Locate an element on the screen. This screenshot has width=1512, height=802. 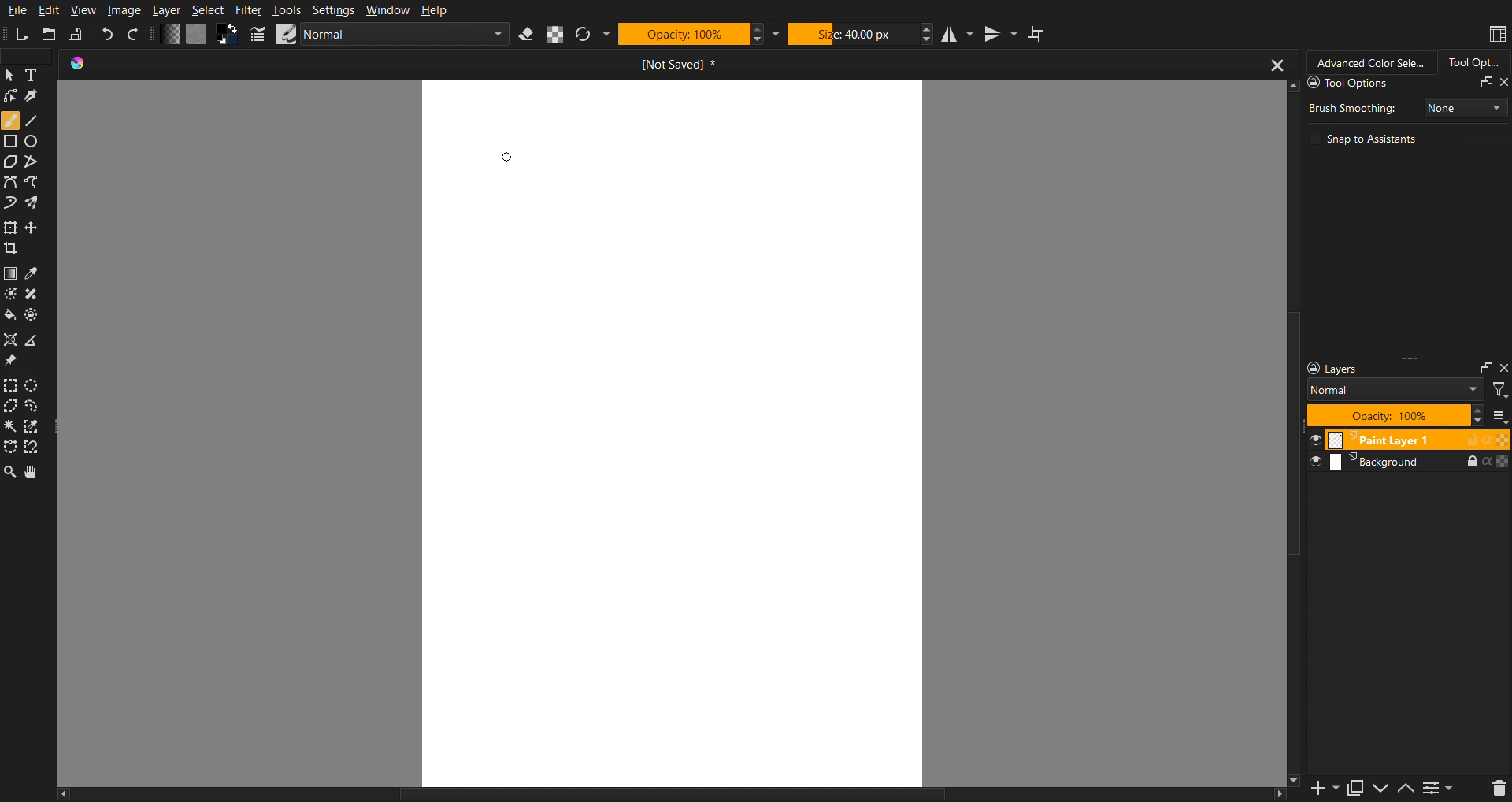
All Layers is located at coordinates (1499, 414).